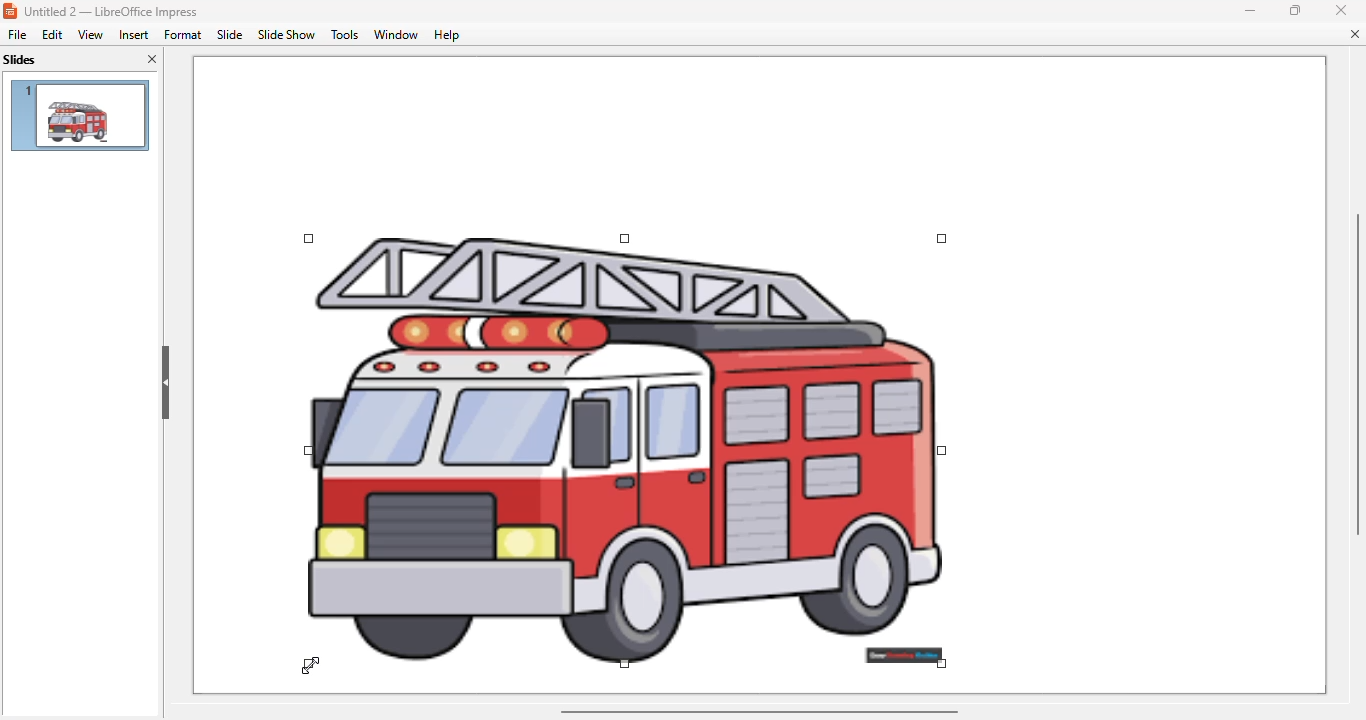 Image resolution: width=1366 pixels, height=720 pixels. What do you see at coordinates (310, 240) in the screenshot?
I see `corner handles` at bounding box center [310, 240].